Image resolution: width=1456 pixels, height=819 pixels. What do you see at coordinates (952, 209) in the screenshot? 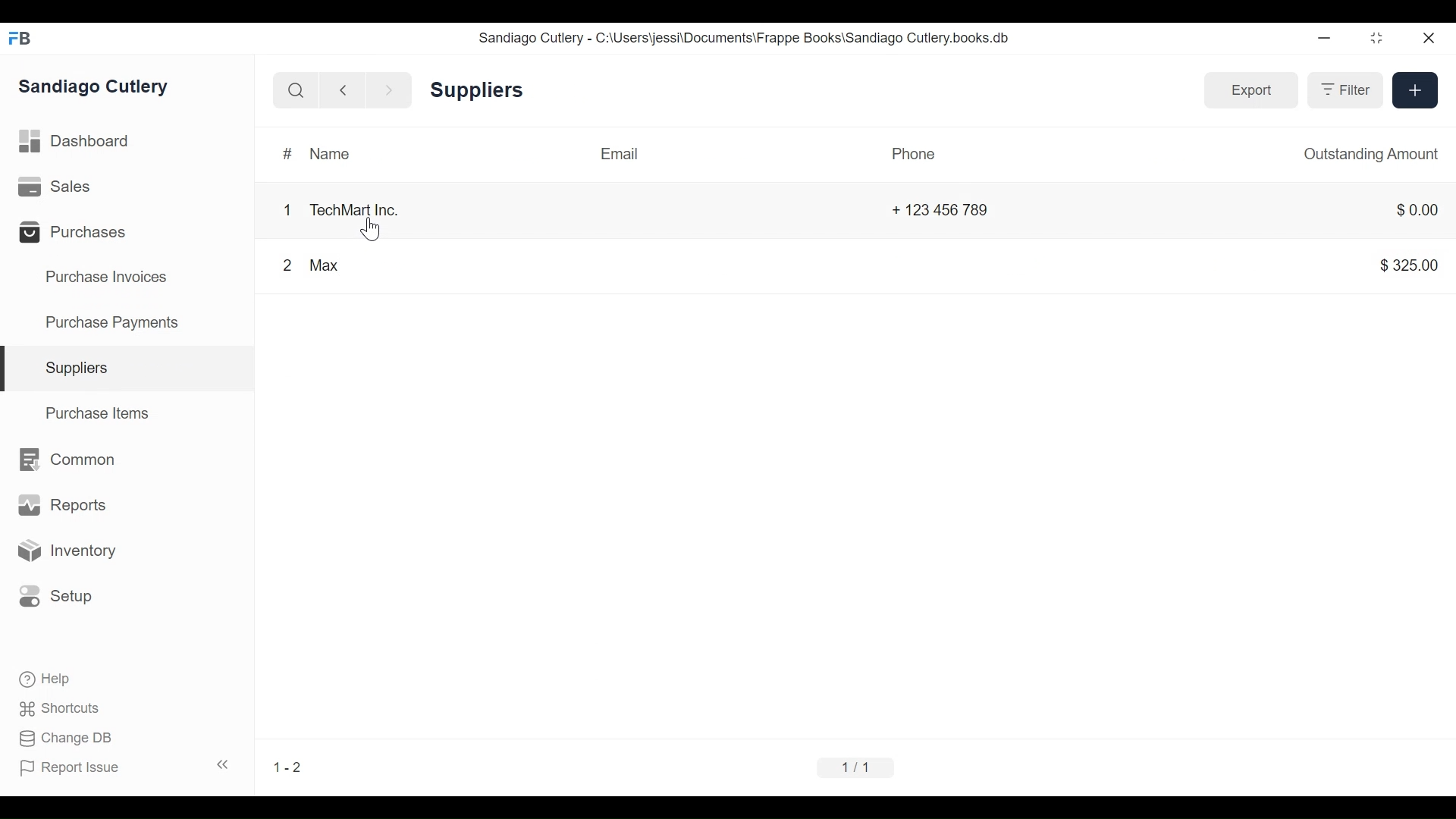
I see `+123 456 789` at bounding box center [952, 209].